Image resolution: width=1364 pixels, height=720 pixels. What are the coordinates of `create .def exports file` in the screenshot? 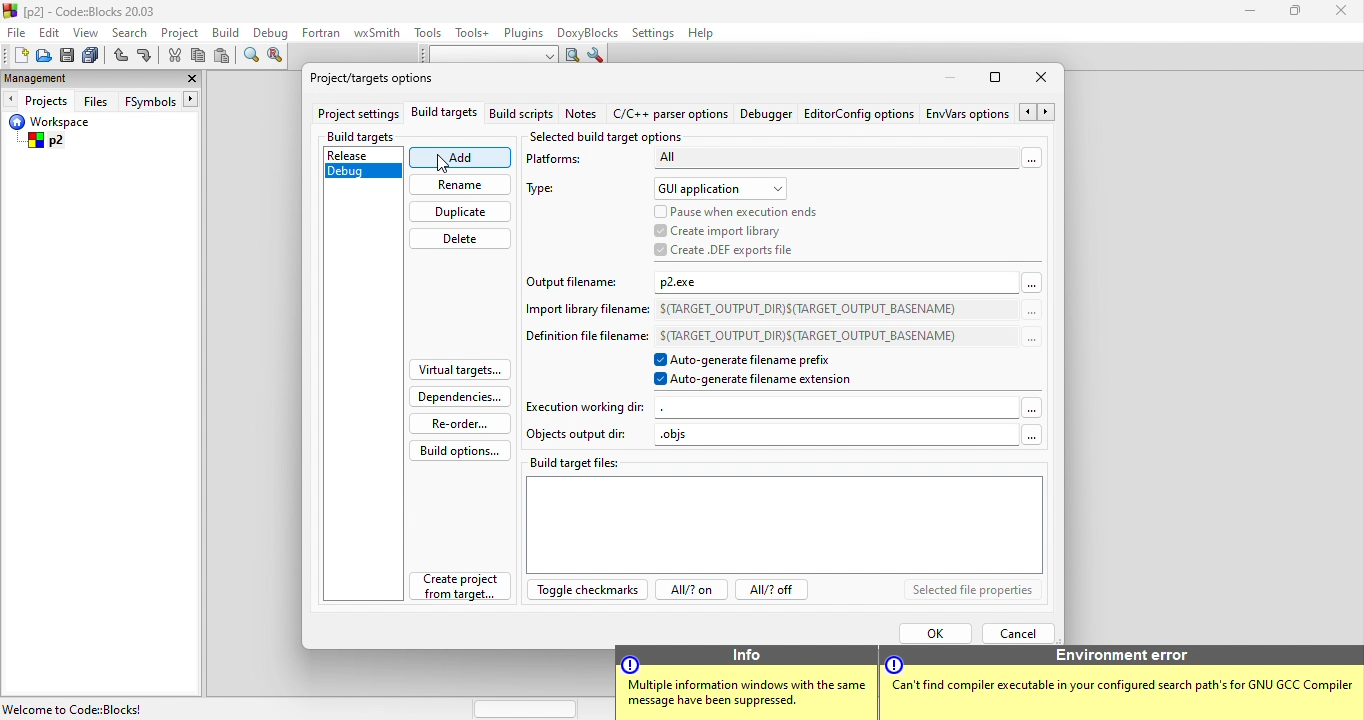 It's located at (735, 251).